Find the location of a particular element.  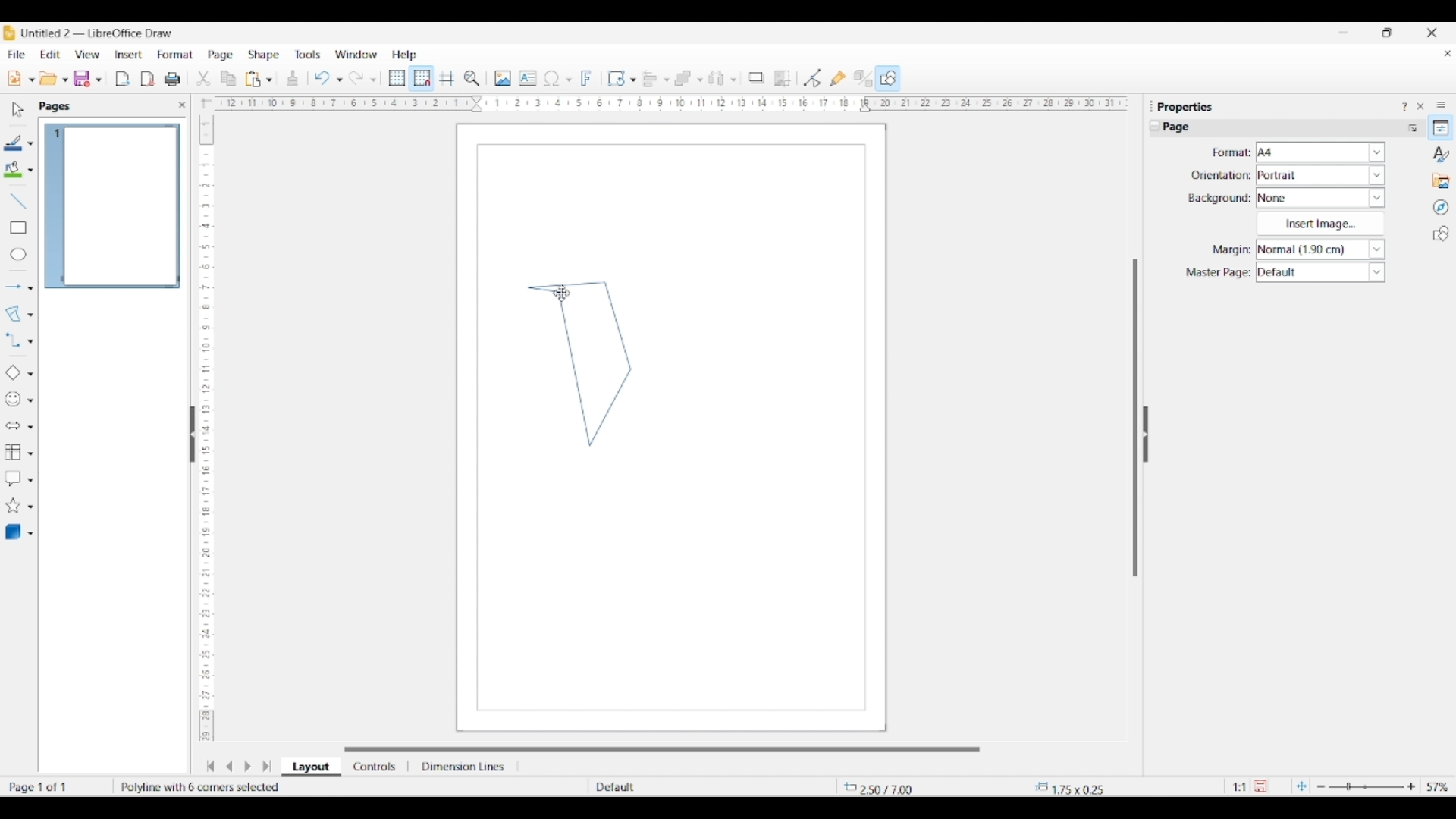

Close left sidebar is located at coordinates (182, 105).